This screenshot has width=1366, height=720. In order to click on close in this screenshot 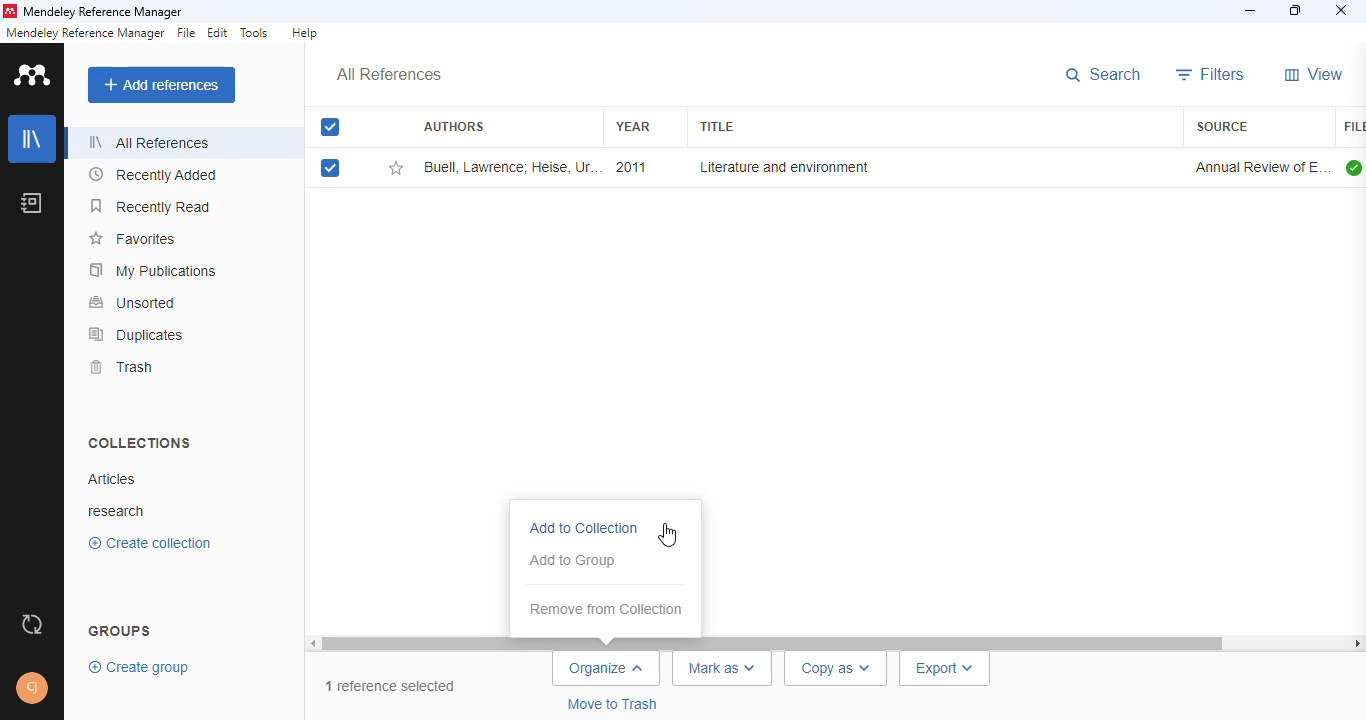, I will do `click(1342, 10)`.